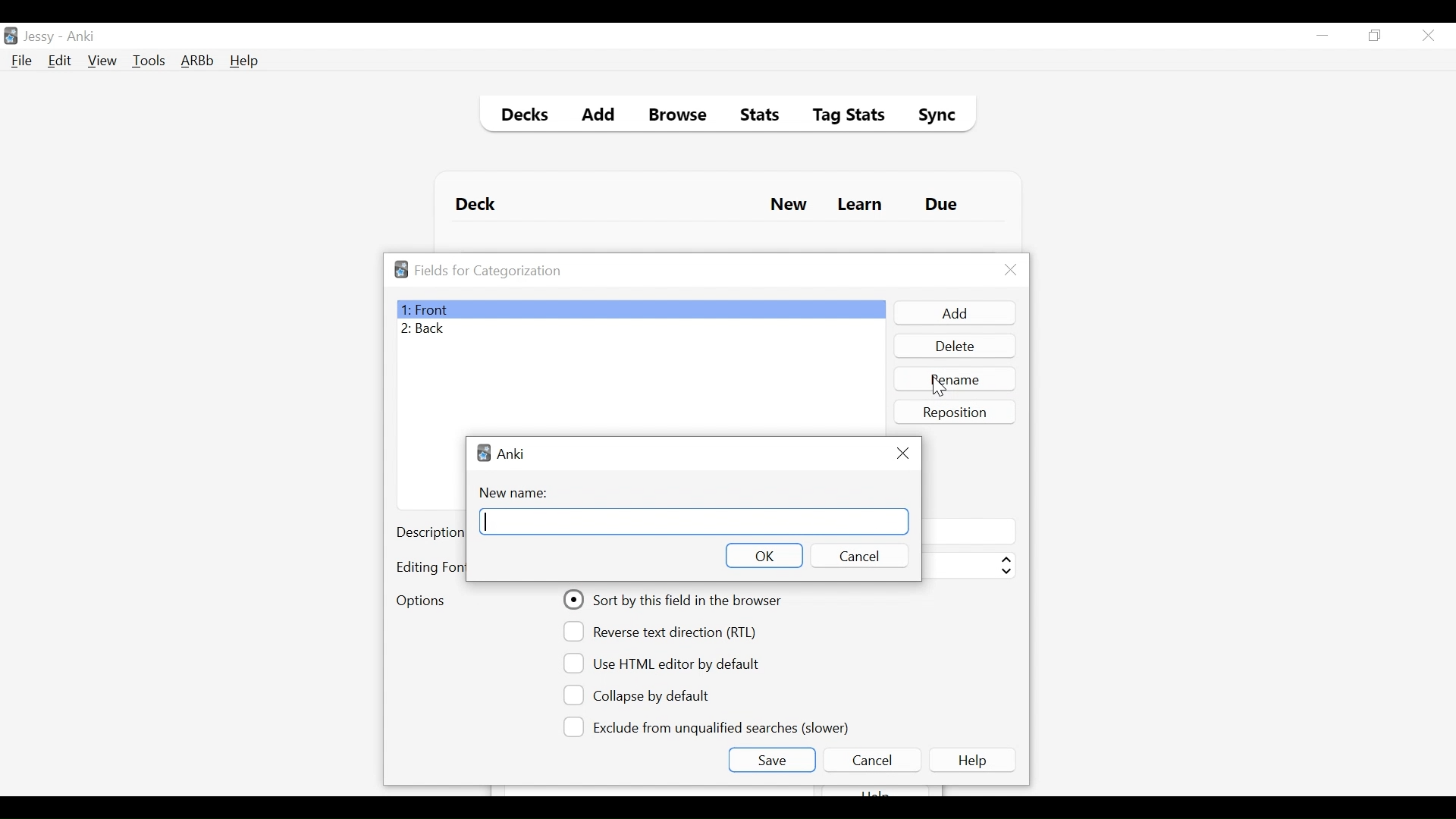 The width and height of the screenshot is (1456, 819). I want to click on Close, so click(1011, 270).